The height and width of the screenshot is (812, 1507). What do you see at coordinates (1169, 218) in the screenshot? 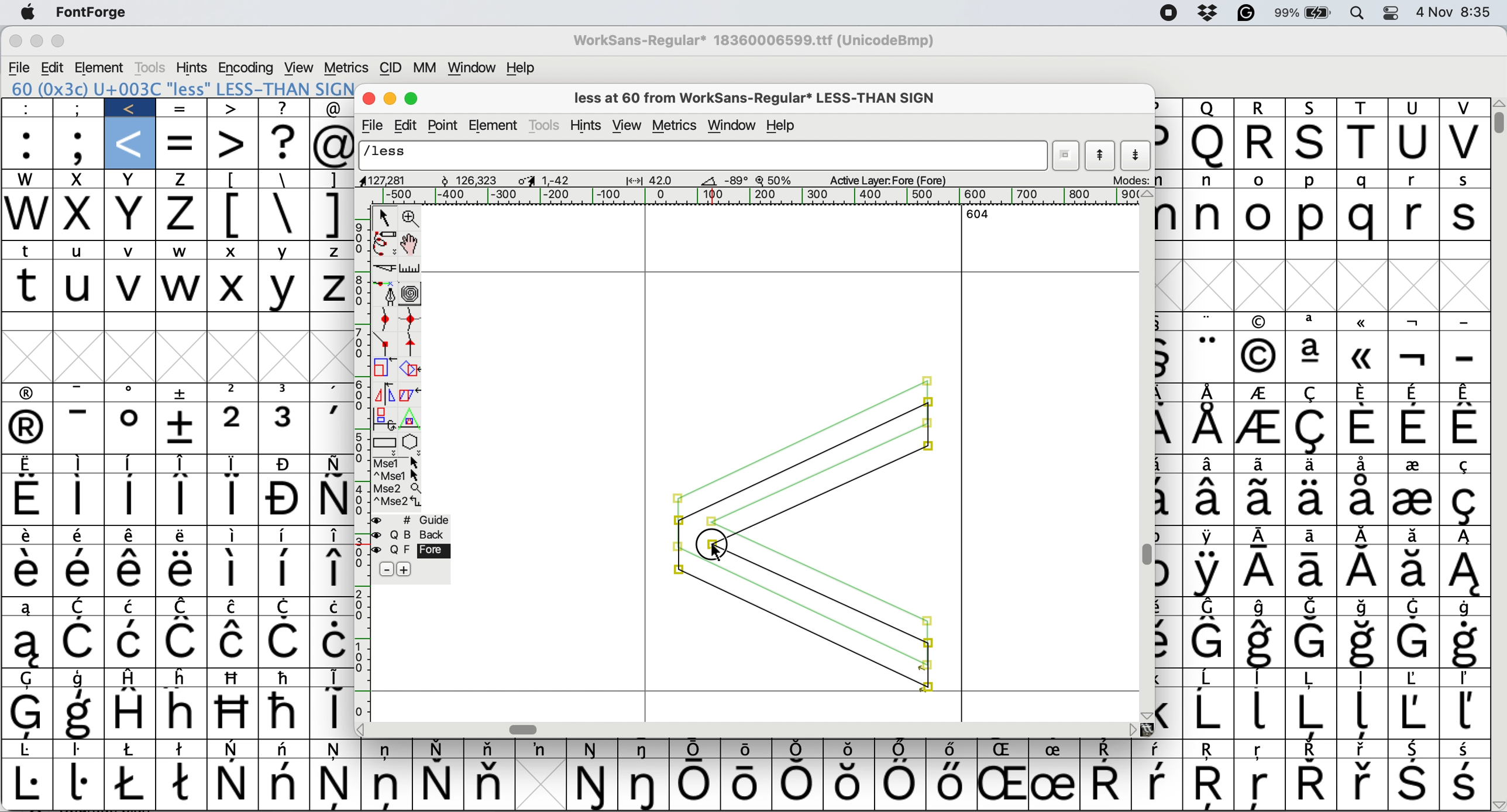
I see `m` at bounding box center [1169, 218].